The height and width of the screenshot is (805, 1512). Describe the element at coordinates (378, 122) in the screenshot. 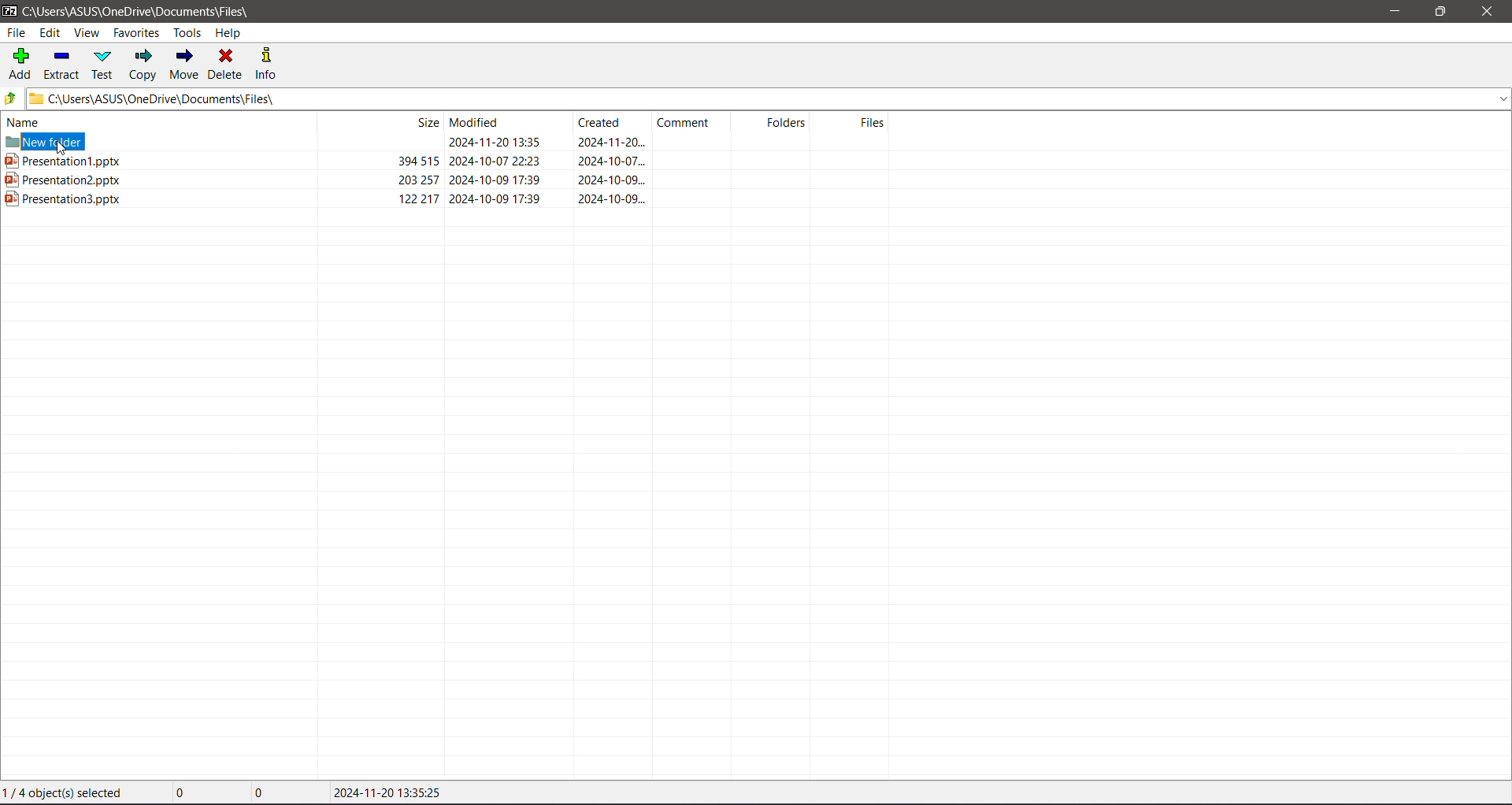

I see `File Size` at that location.